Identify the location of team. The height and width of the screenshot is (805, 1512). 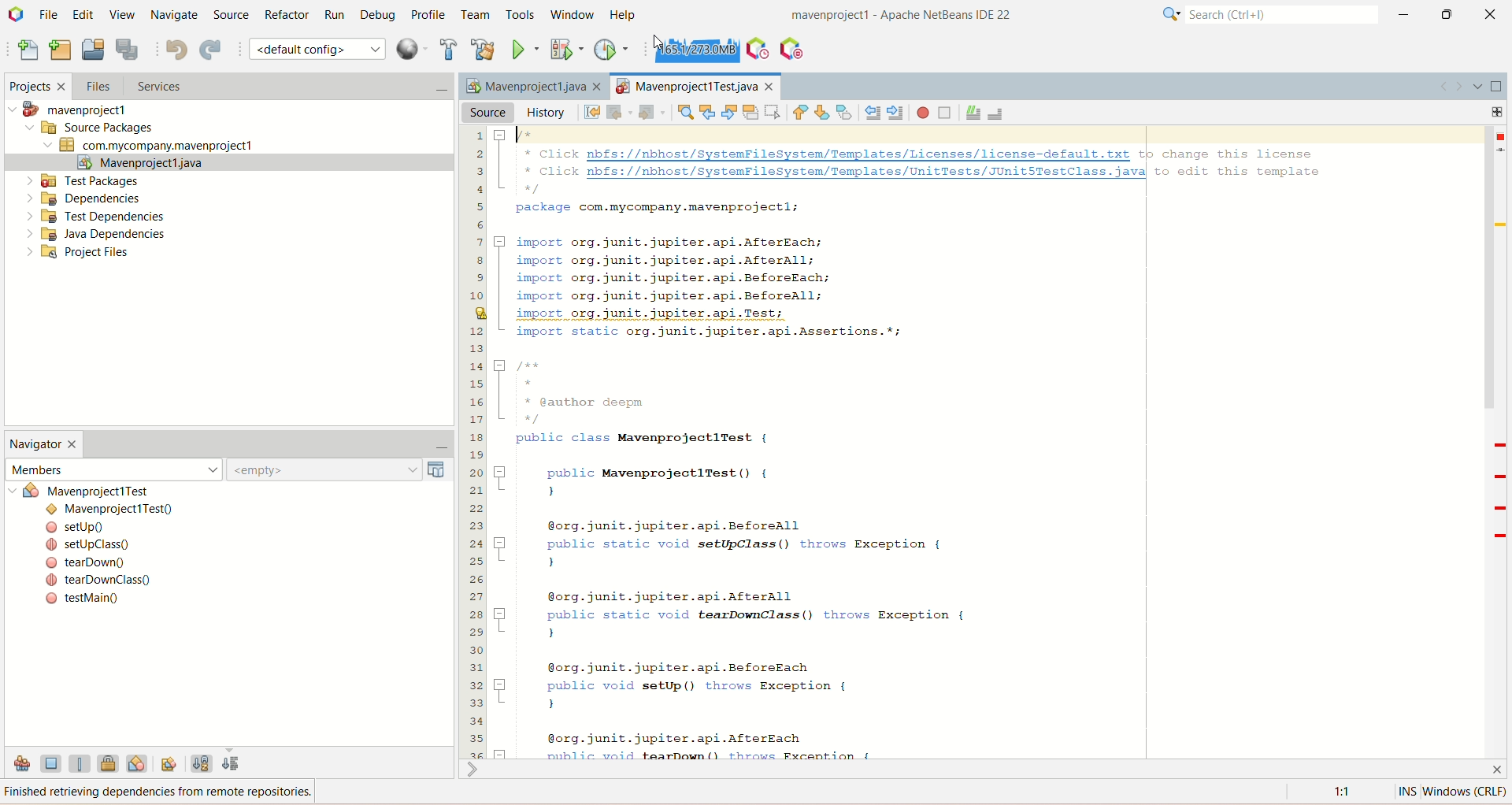
(476, 16).